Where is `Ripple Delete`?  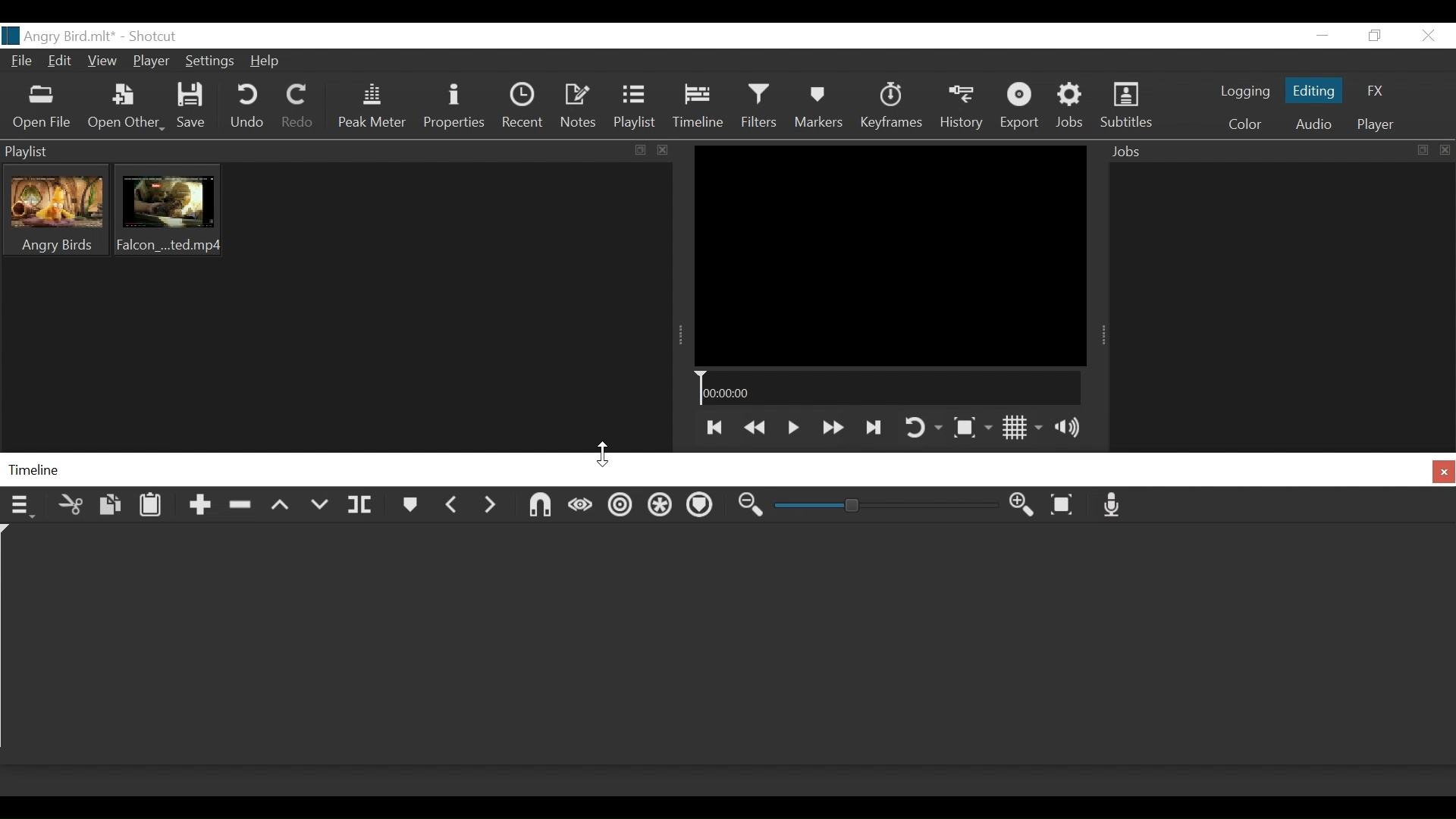
Ripple Delete is located at coordinates (240, 510).